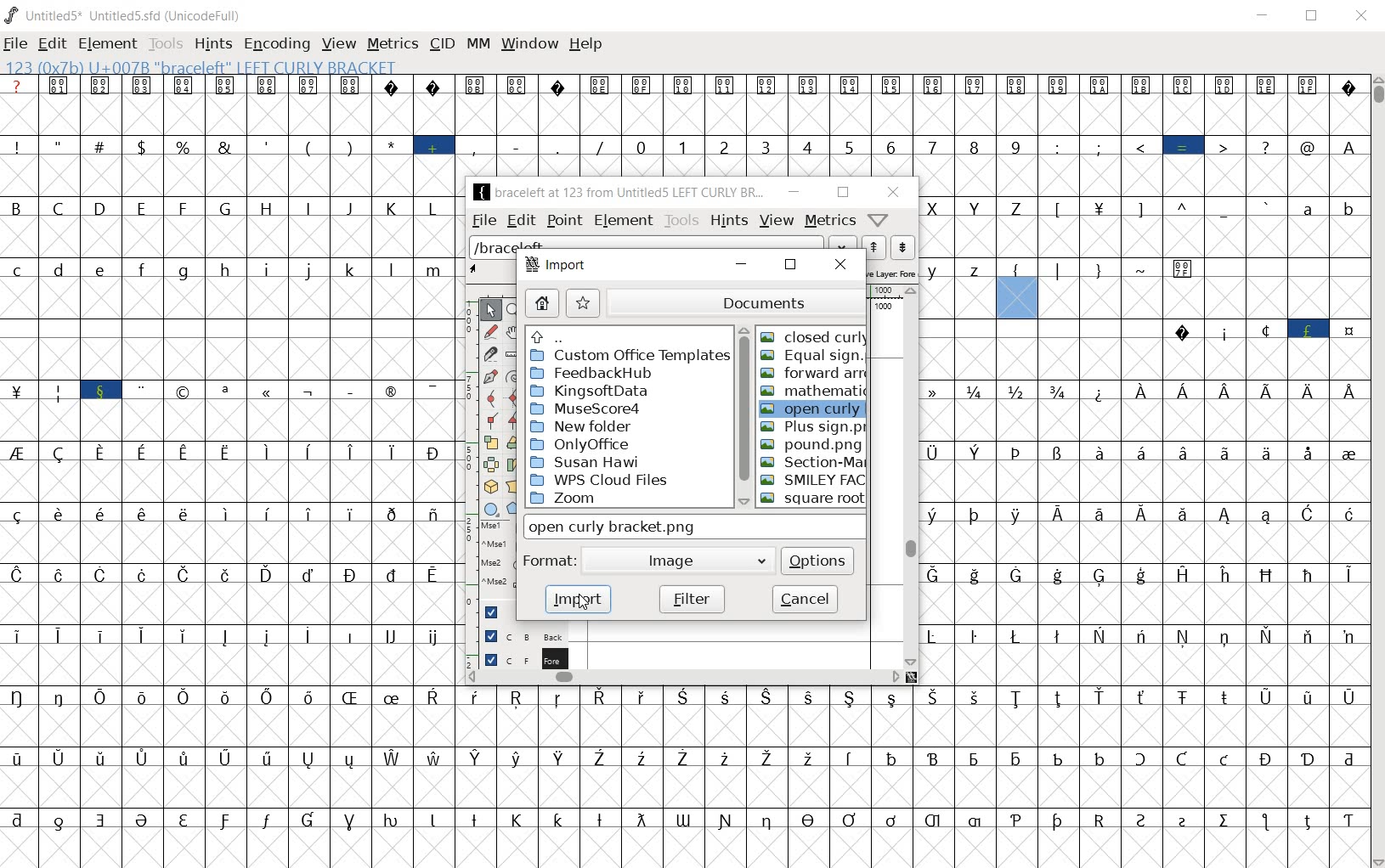 Image resolution: width=1385 pixels, height=868 pixels. Describe the element at coordinates (816, 562) in the screenshot. I see `options` at that location.